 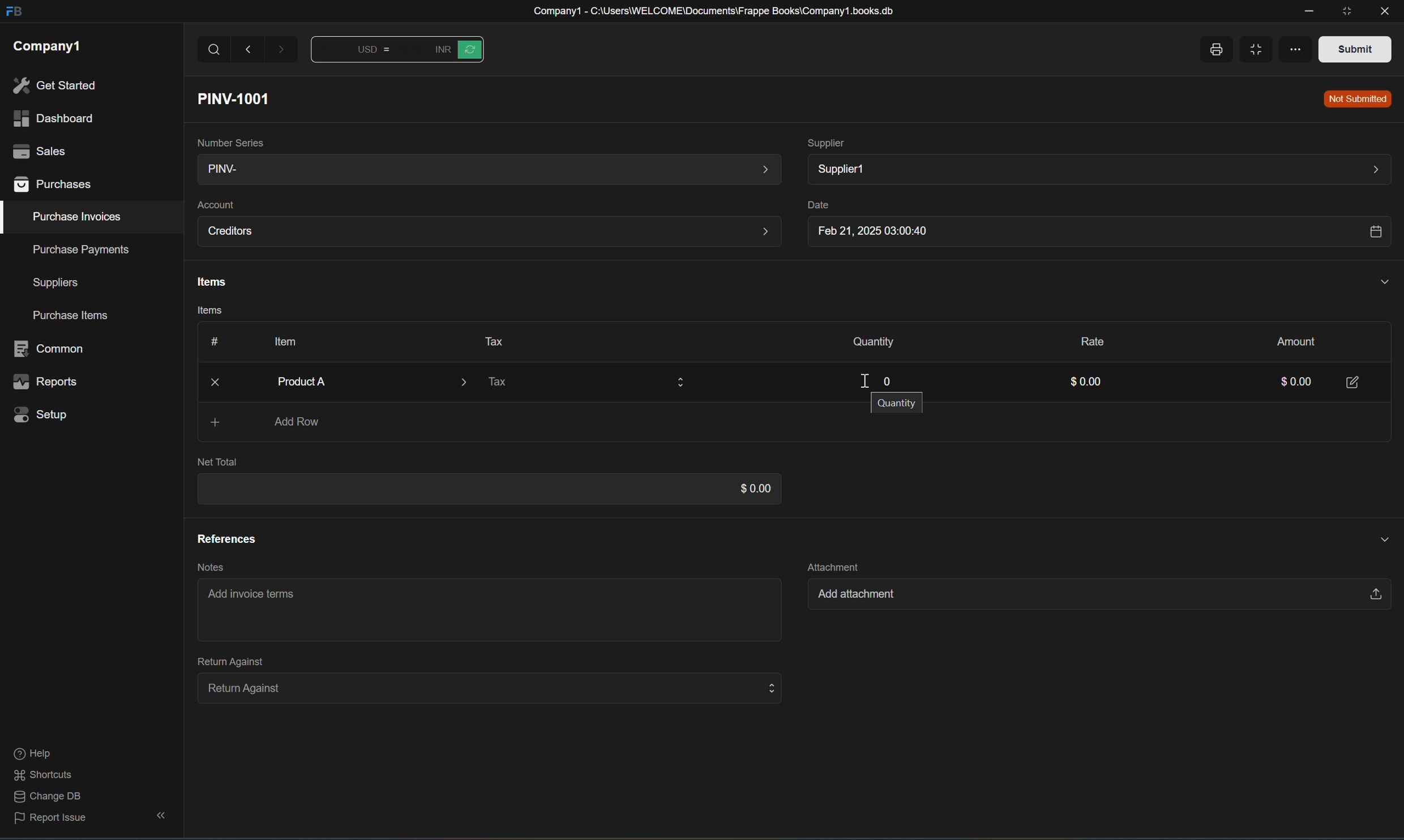 I want to click on Add attachment, so click(x=1091, y=597).